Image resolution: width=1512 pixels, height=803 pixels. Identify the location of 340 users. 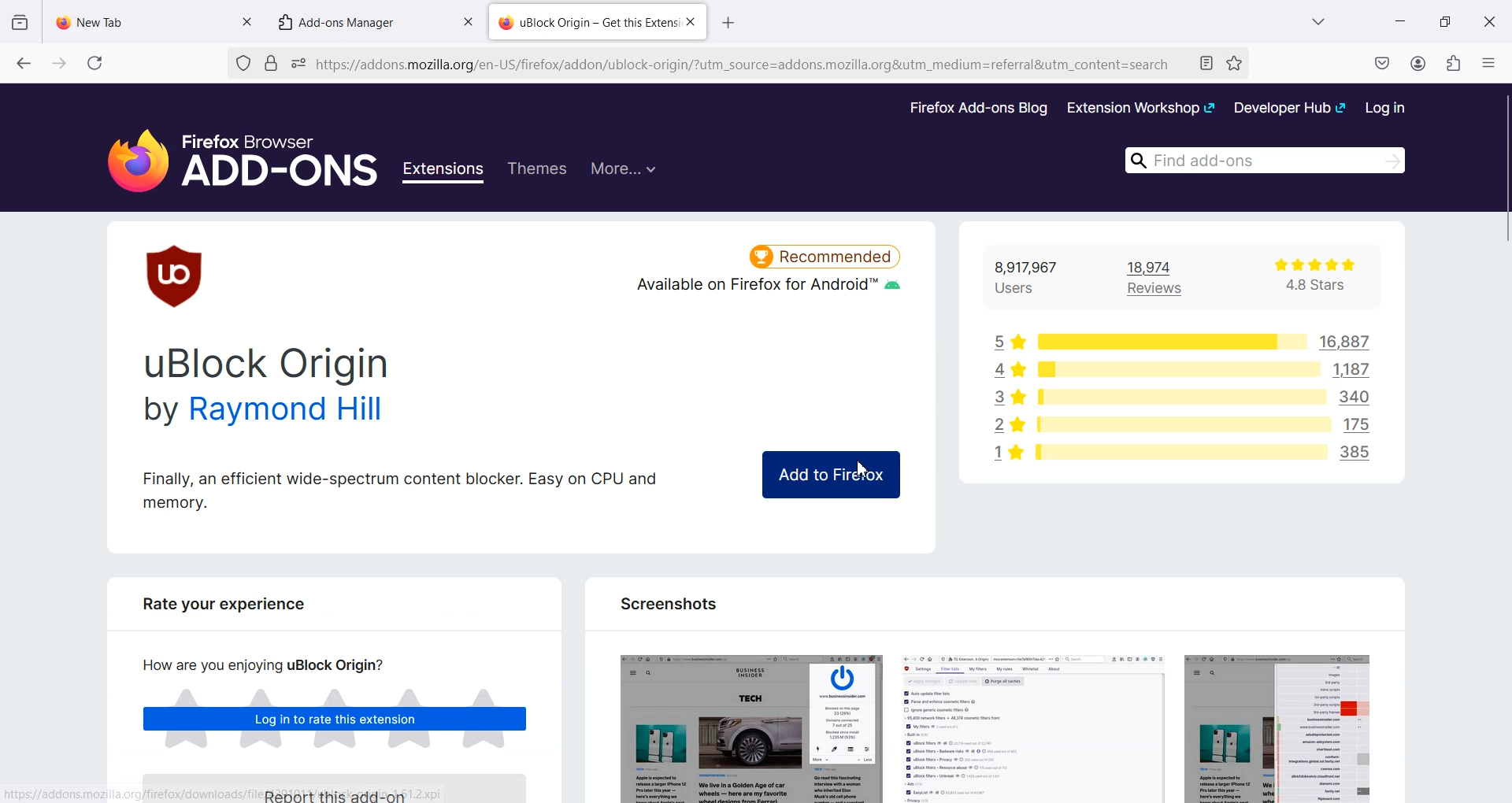
(1359, 397).